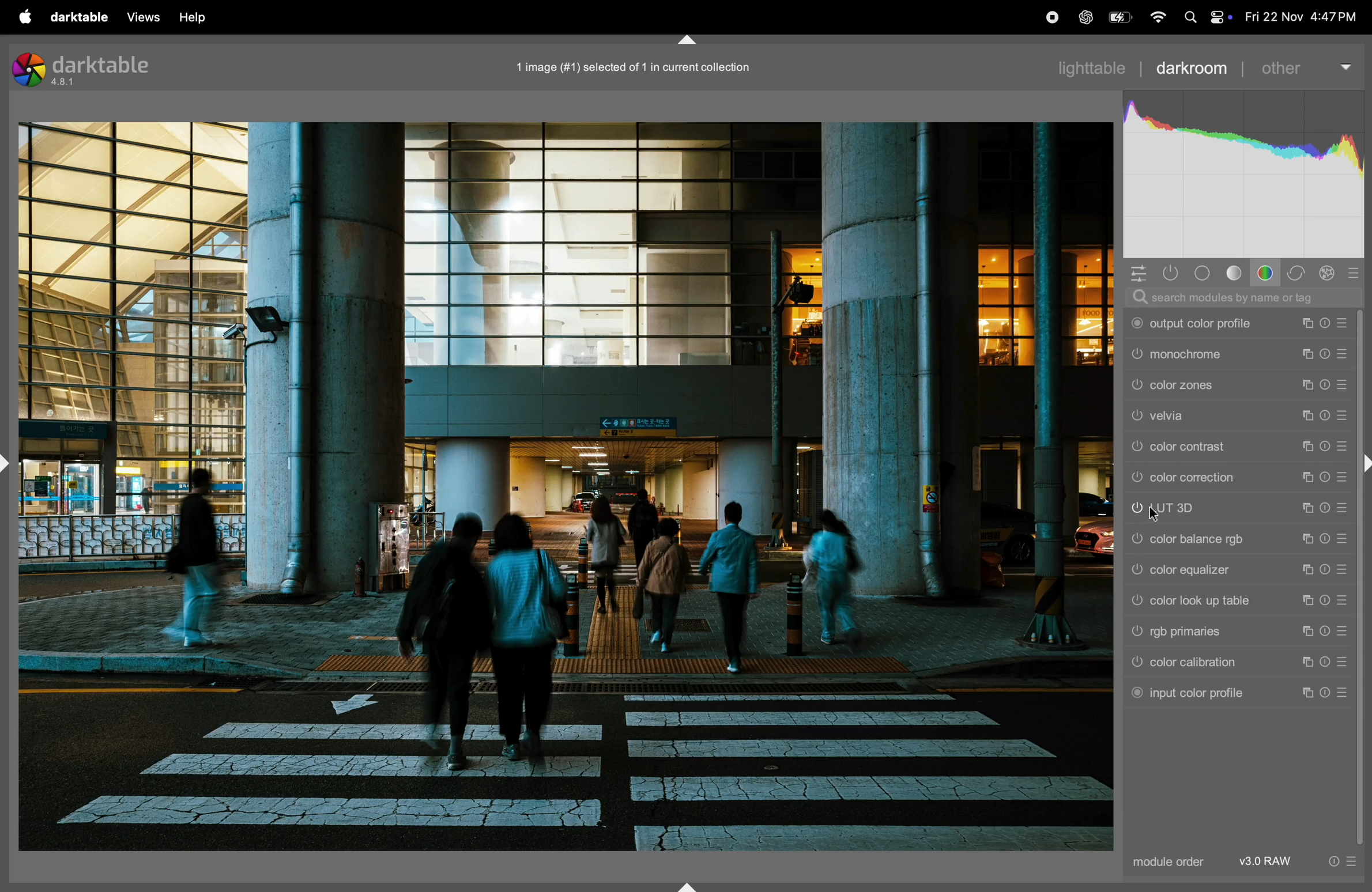 This screenshot has width=1372, height=892. What do you see at coordinates (1304, 475) in the screenshot?
I see `multiple intance actions` at bounding box center [1304, 475].